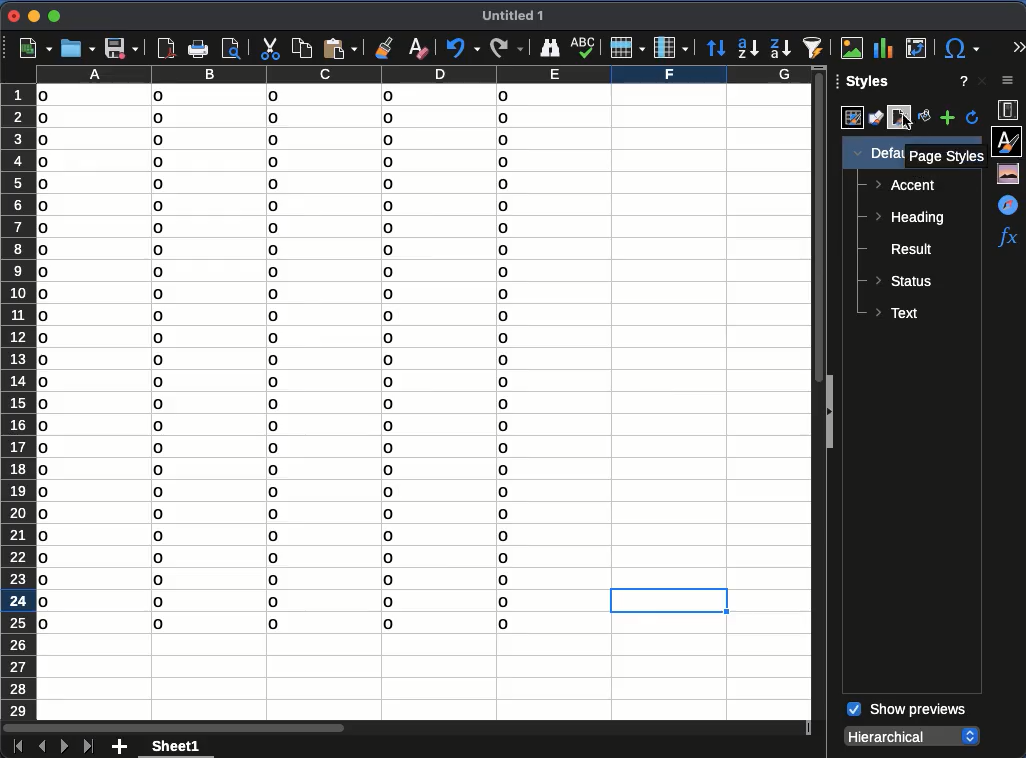 This screenshot has height=758, width=1026. What do you see at coordinates (899, 313) in the screenshot?
I see `text` at bounding box center [899, 313].